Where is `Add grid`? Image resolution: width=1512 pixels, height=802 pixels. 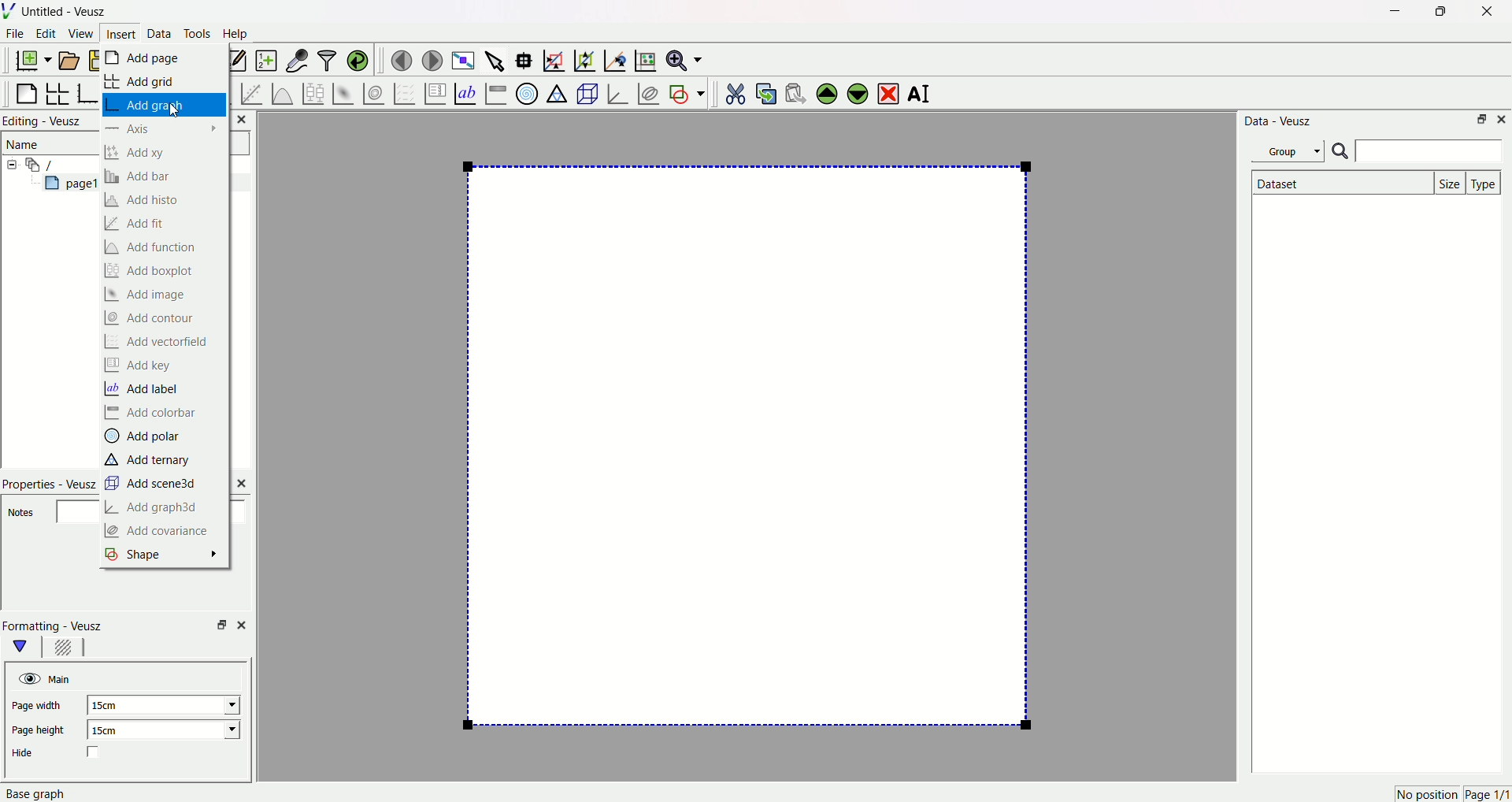 Add grid is located at coordinates (147, 81).